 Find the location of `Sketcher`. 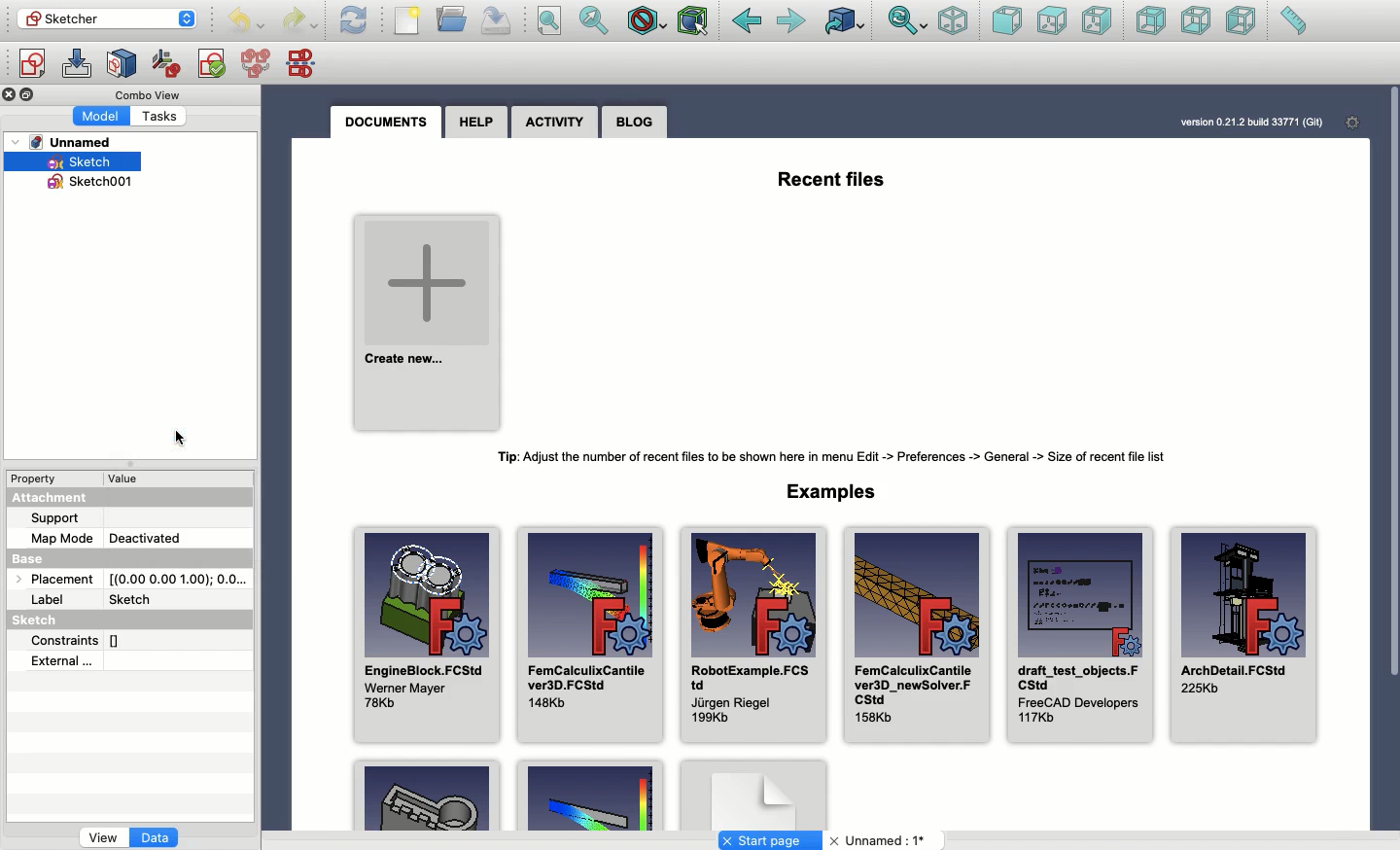

Sketcher is located at coordinates (94, 18).